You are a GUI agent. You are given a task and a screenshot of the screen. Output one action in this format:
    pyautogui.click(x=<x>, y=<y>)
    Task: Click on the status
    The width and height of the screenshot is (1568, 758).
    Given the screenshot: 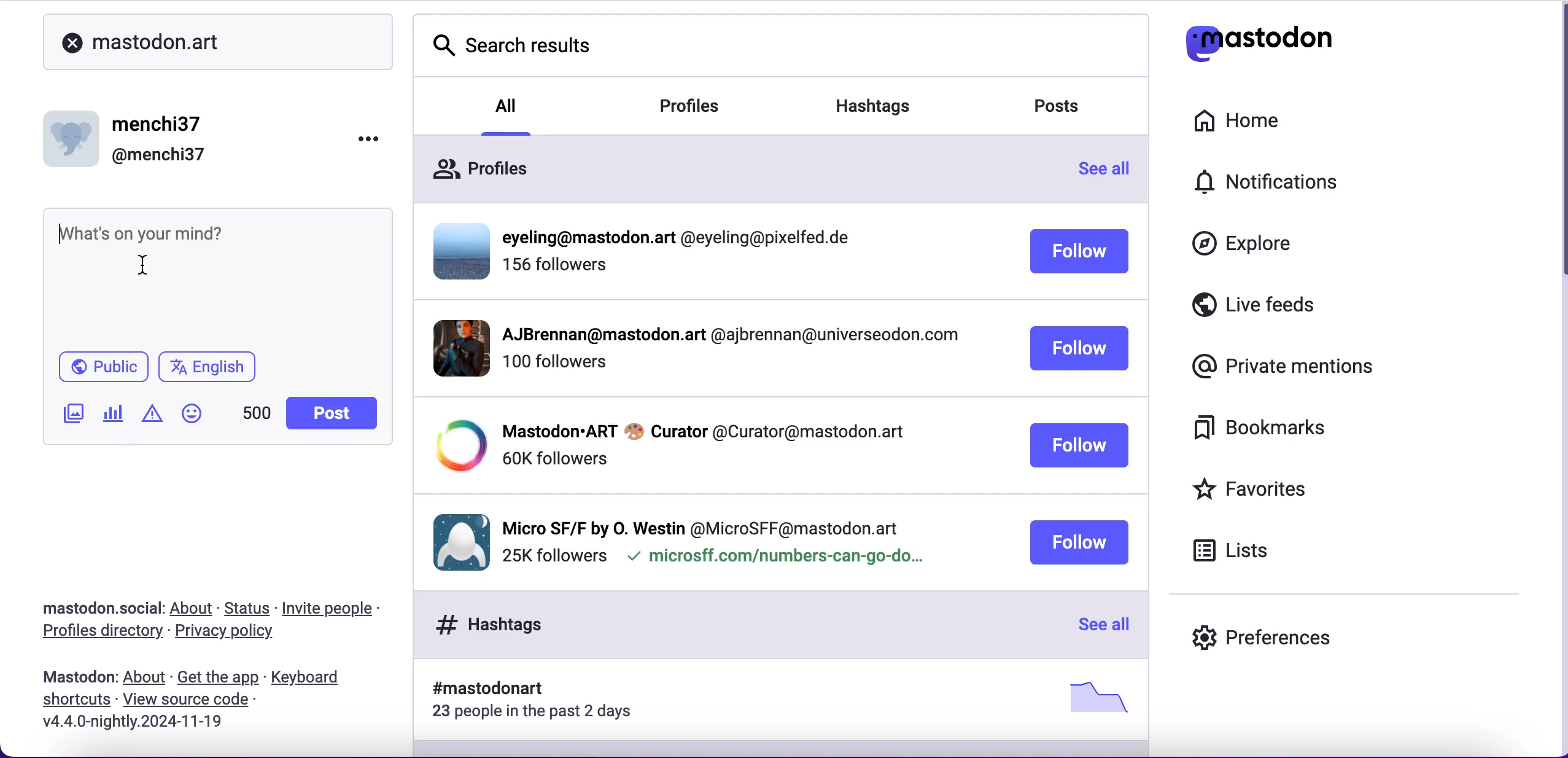 What is the action you would take?
    pyautogui.click(x=248, y=608)
    